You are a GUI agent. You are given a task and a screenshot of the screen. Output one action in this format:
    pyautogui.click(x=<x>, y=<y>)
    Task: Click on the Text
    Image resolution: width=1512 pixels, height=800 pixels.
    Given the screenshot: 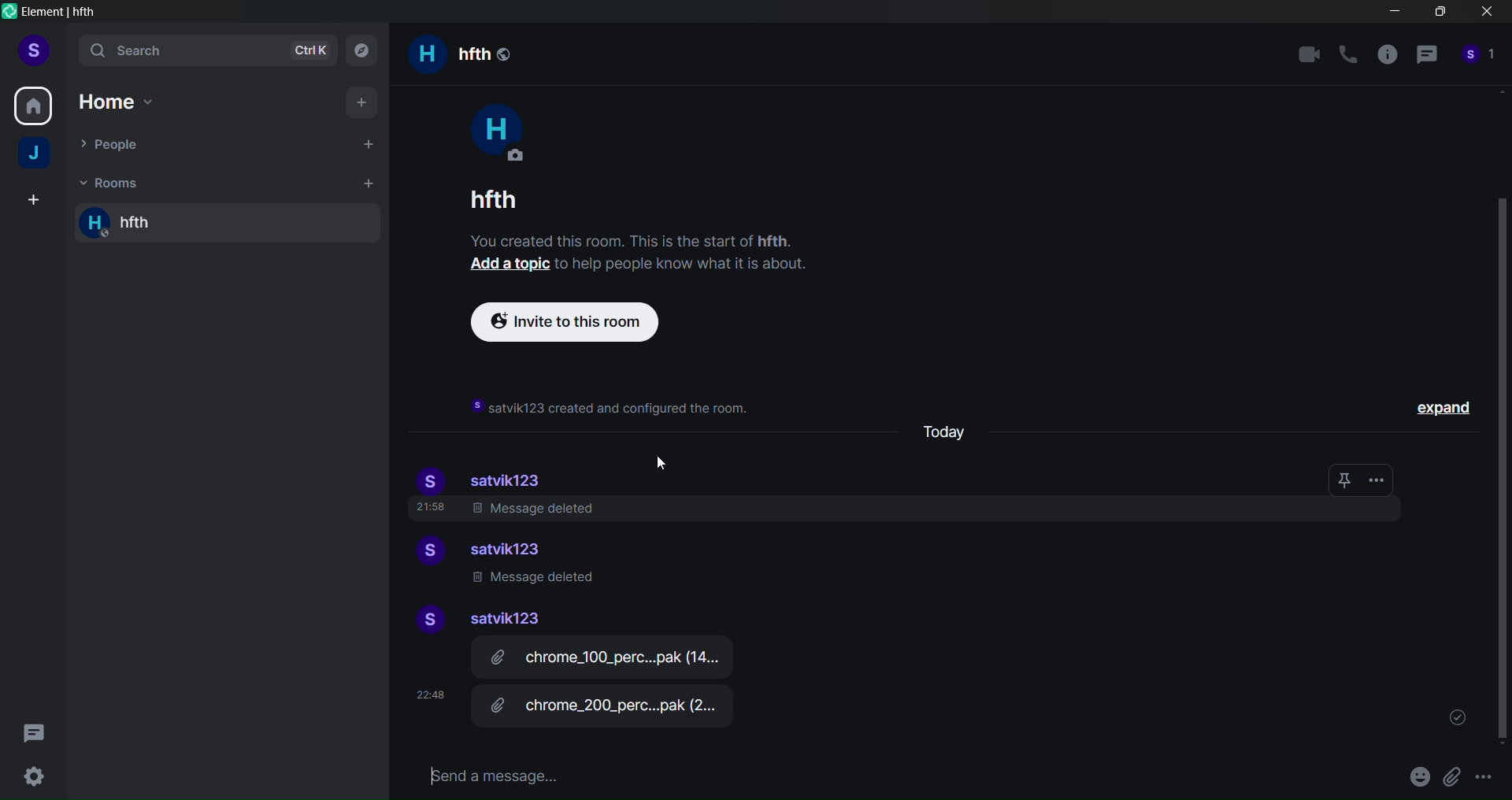 What is the action you would take?
    pyautogui.click(x=639, y=215)
    